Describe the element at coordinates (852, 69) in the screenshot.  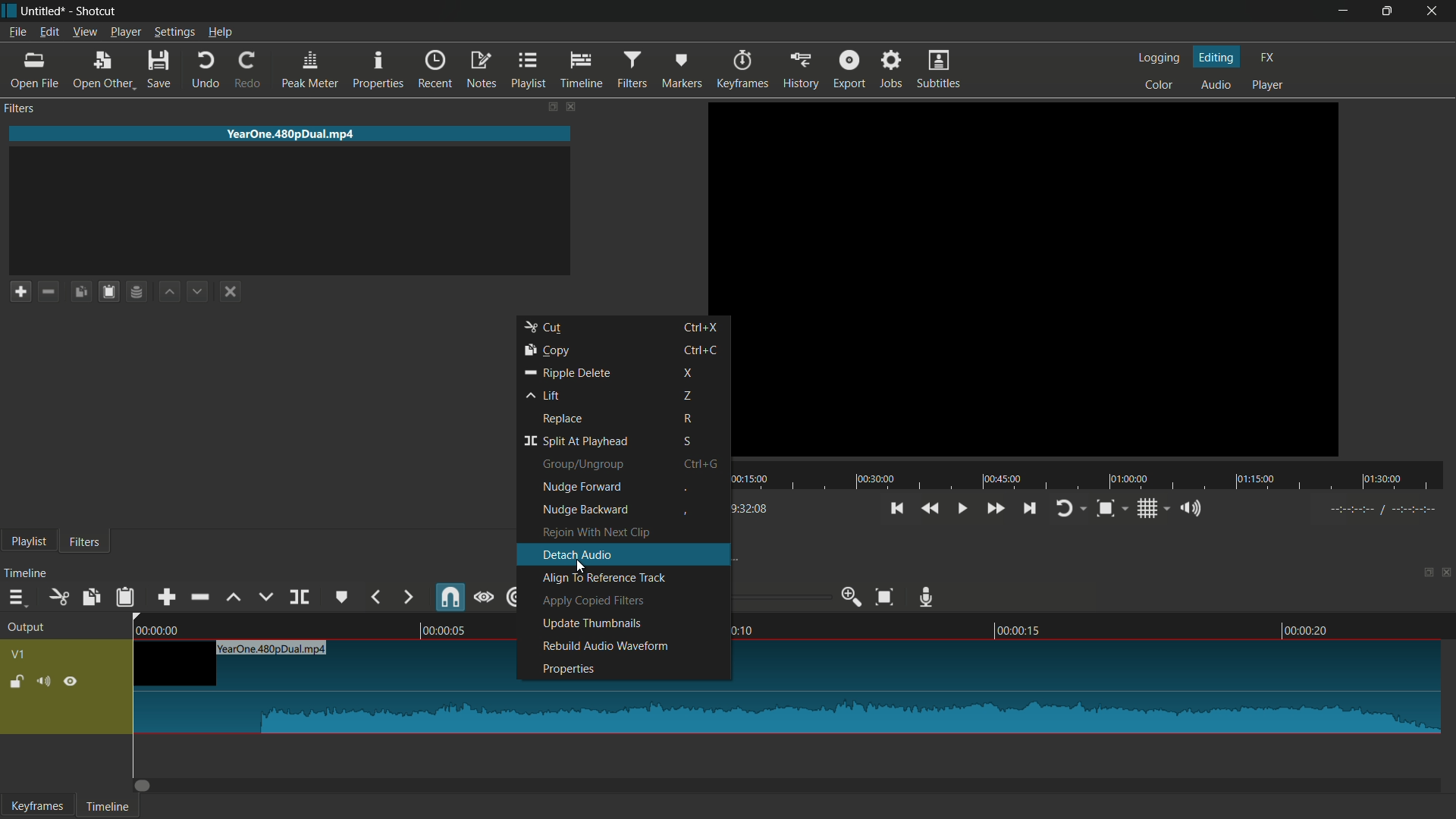
I see `export` at that location.